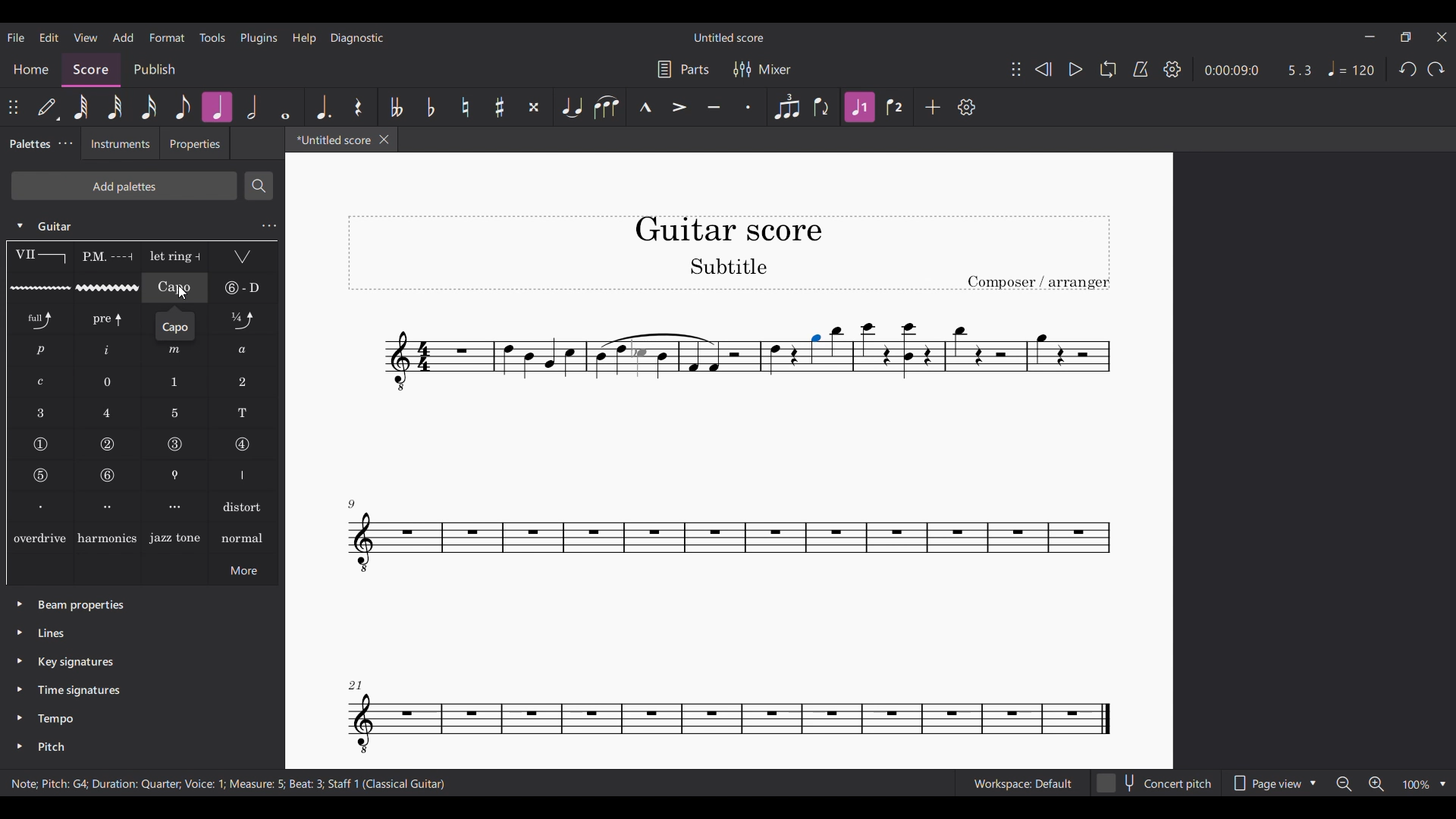 The width and height of the screenshot is (1456, 819). What do you see at coordinates (243, 413) in the screenshot?
I see `LH guitar fingering T` at bounding box center [243, 413].